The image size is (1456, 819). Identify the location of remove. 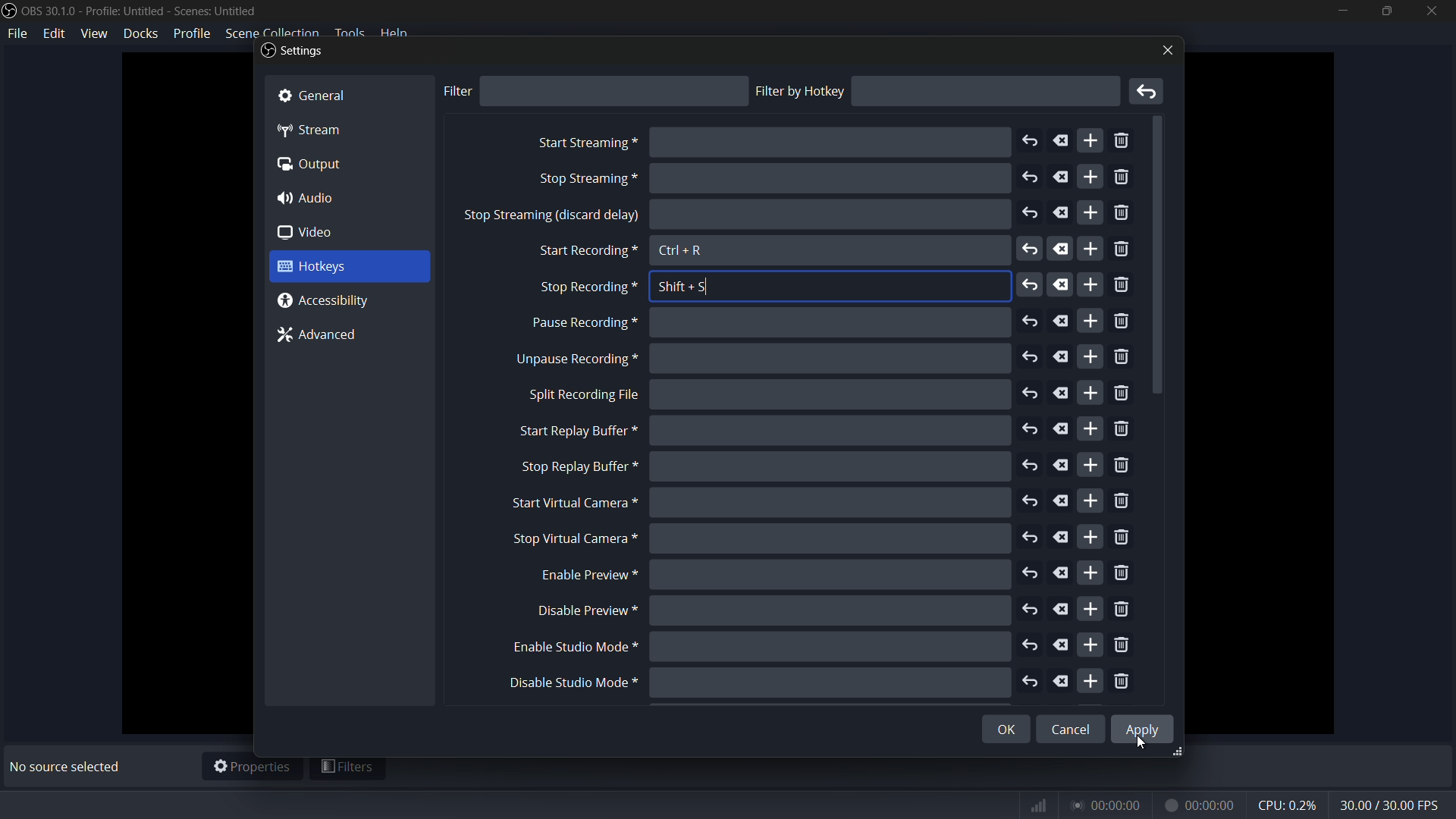
(1122, 251).